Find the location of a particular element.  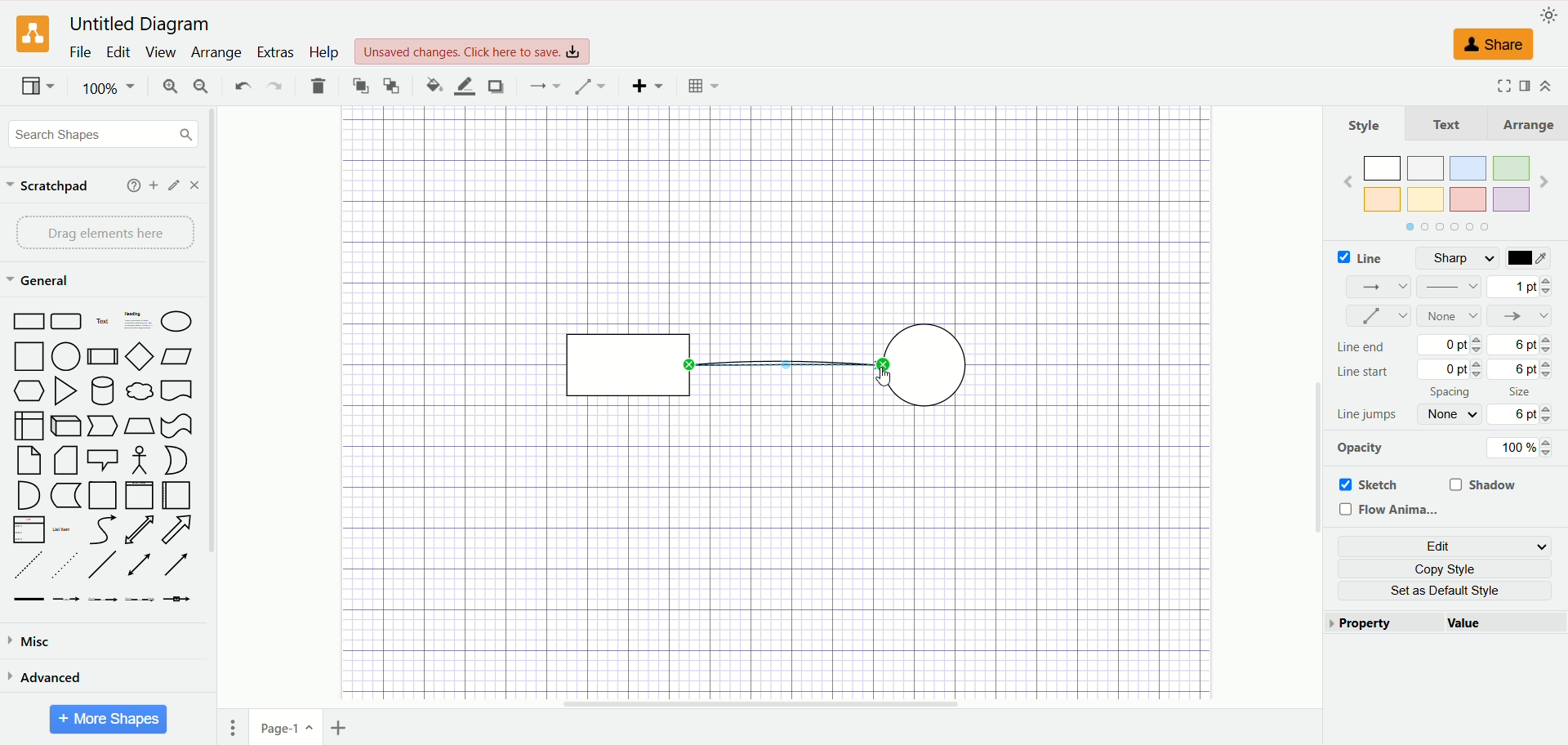

file is located at coordinates (80, 53).